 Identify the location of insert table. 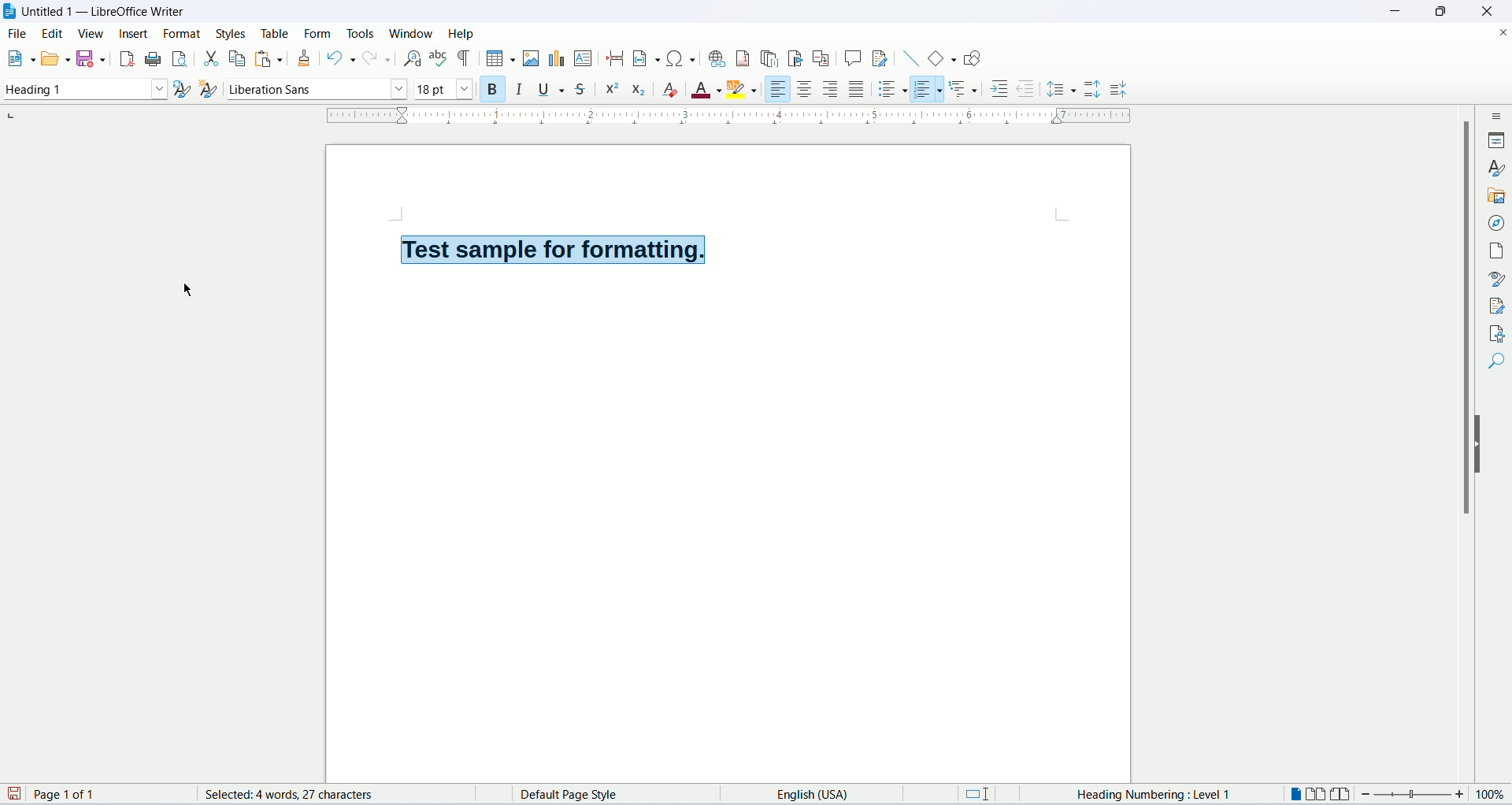
(498, 57).